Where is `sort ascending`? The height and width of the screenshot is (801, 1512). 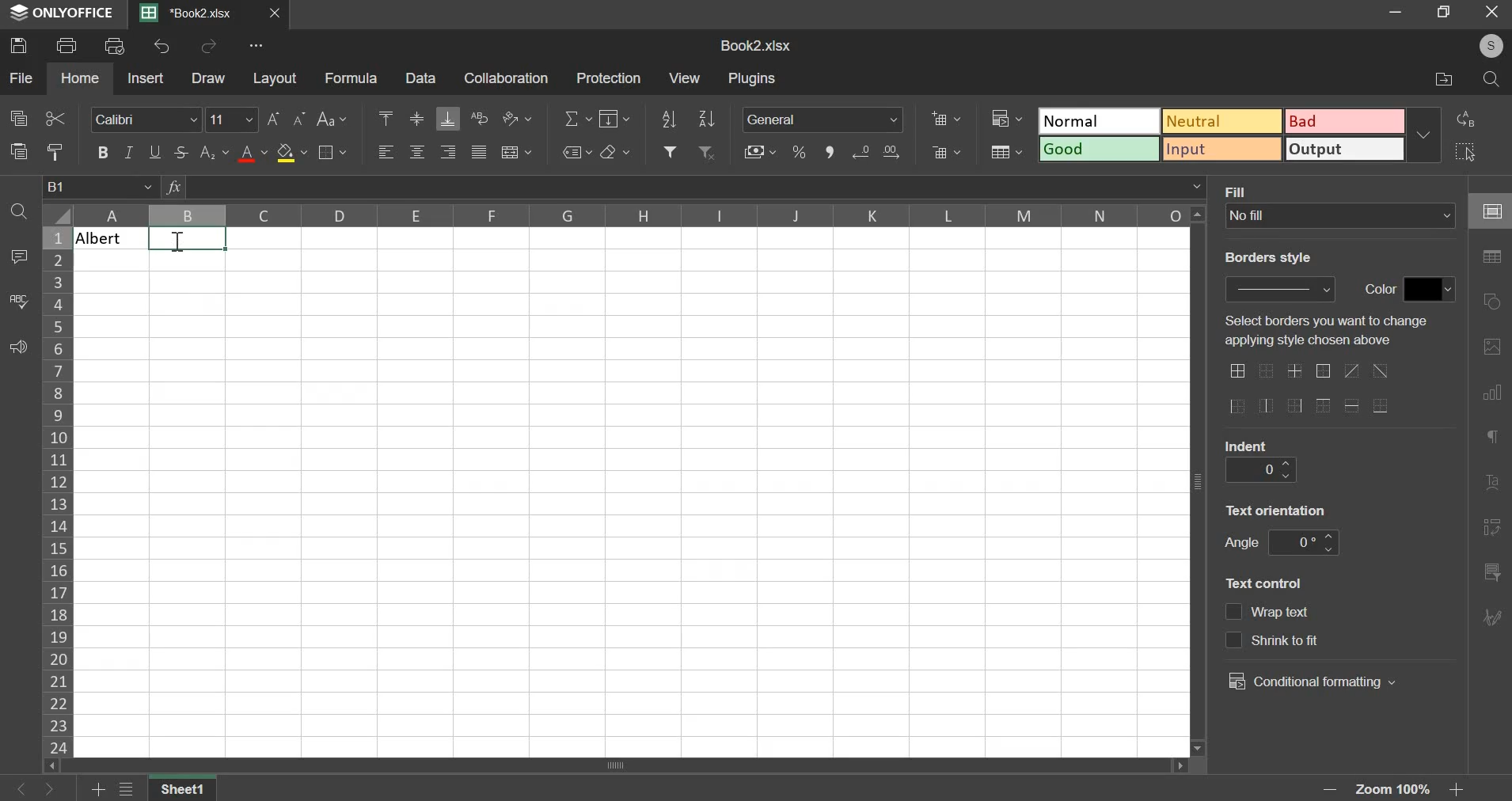
sort ascending is located at coordinates (669, 119).